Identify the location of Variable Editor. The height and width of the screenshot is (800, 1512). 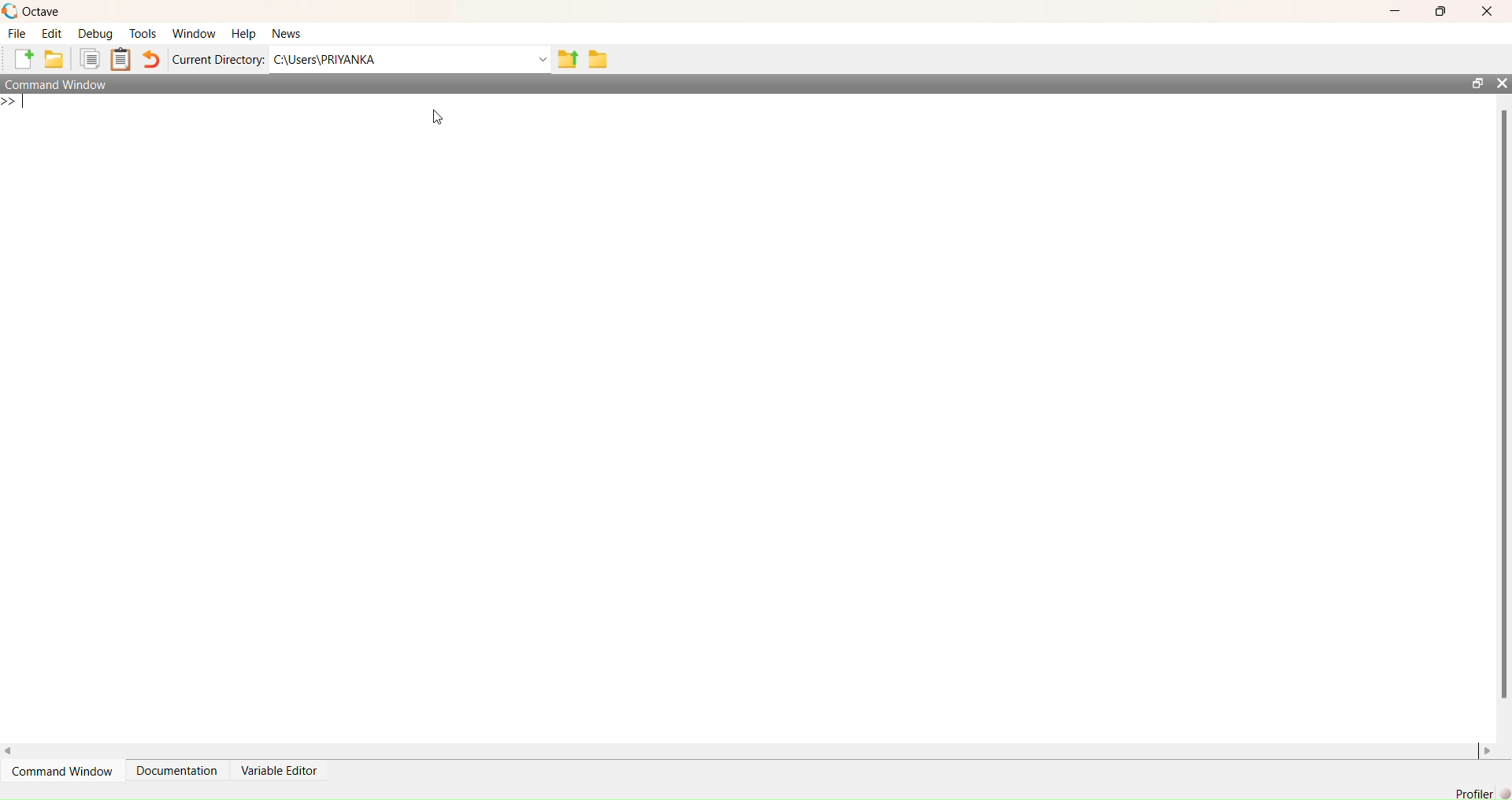
(279, 771).